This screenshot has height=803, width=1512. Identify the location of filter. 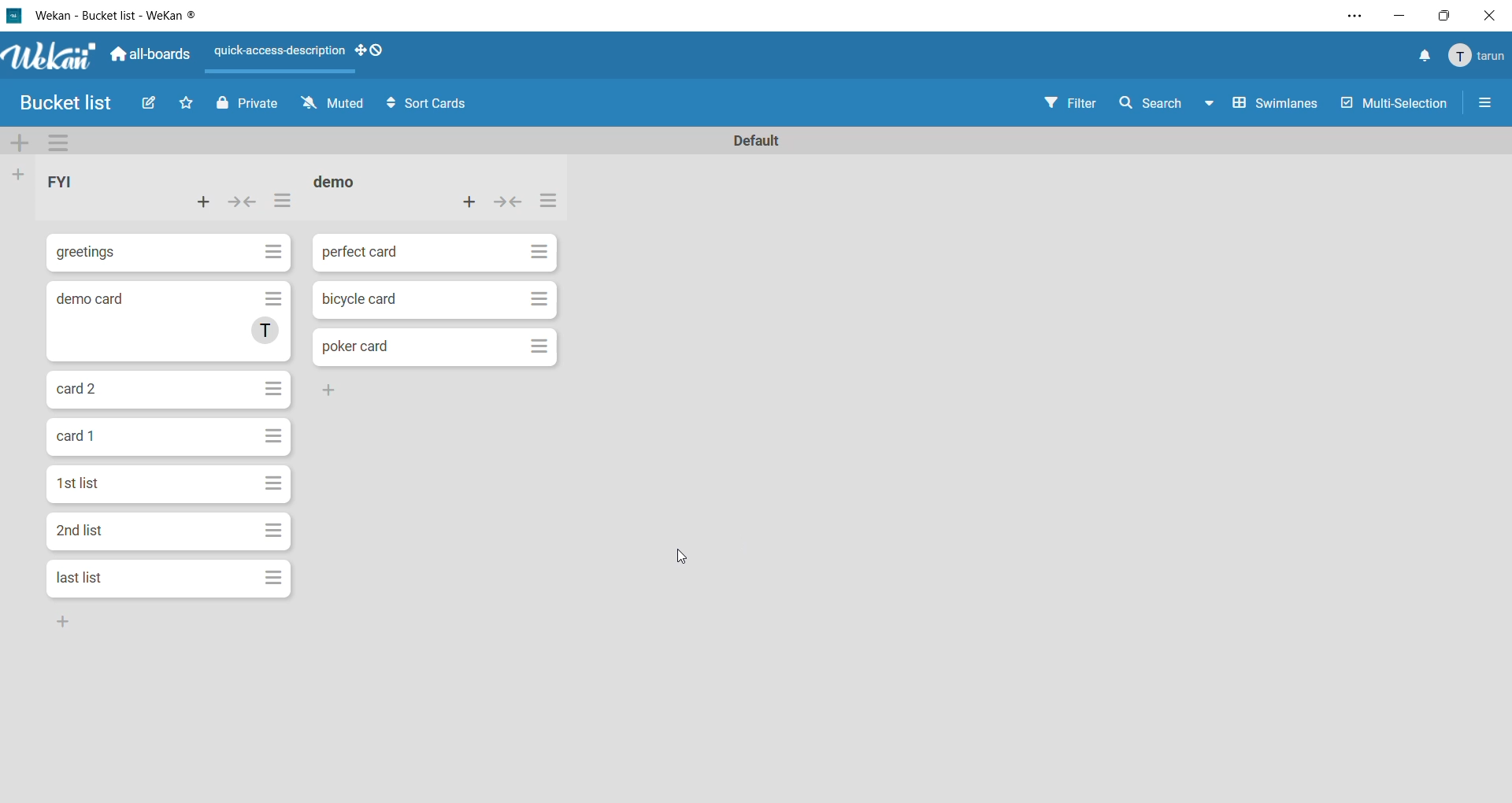
(1070, 102).